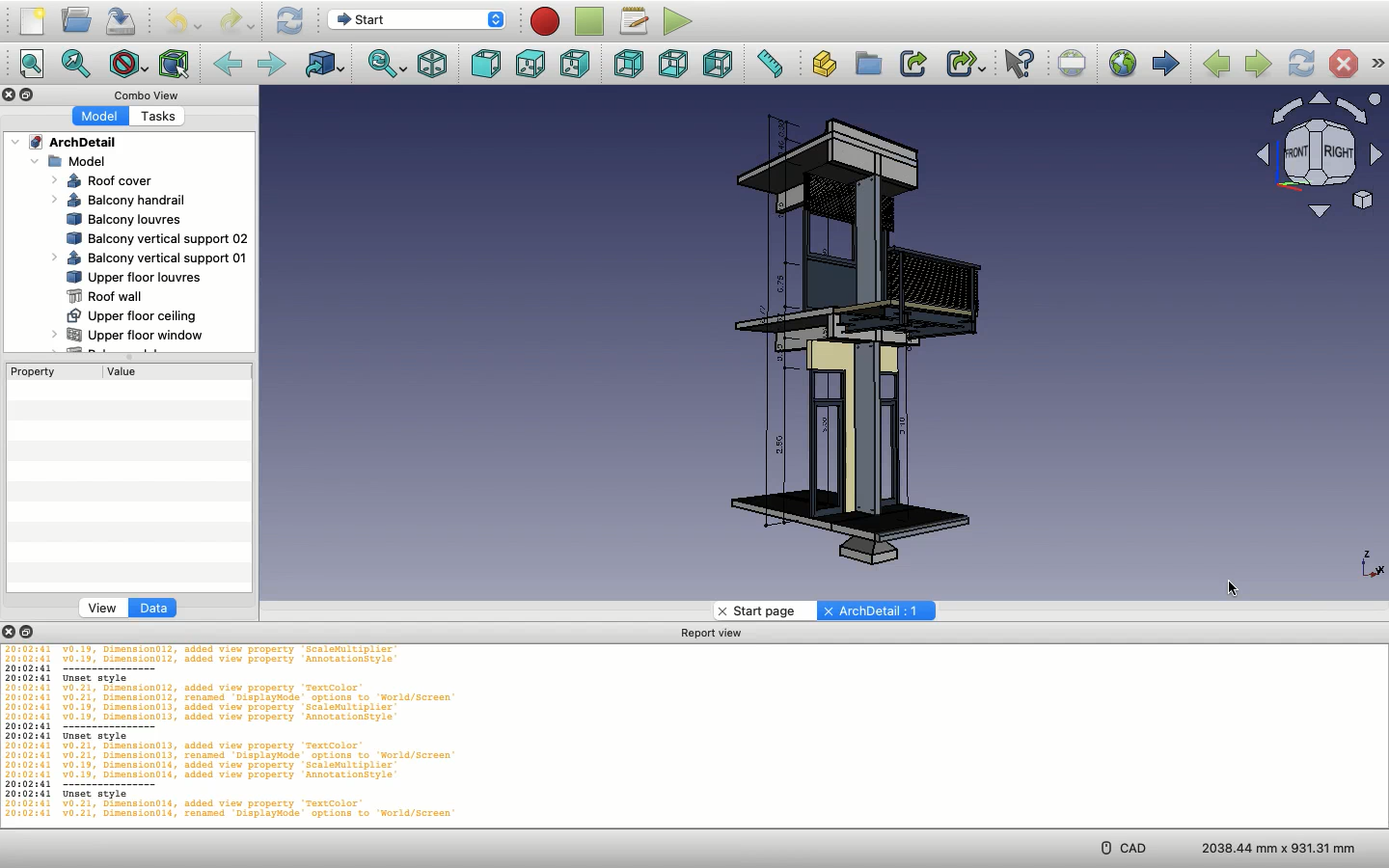 The width and height of the screenshot is (1389, 868). Describe the element at coordinates (227, 66) in the screenshot. I see `` at that location.